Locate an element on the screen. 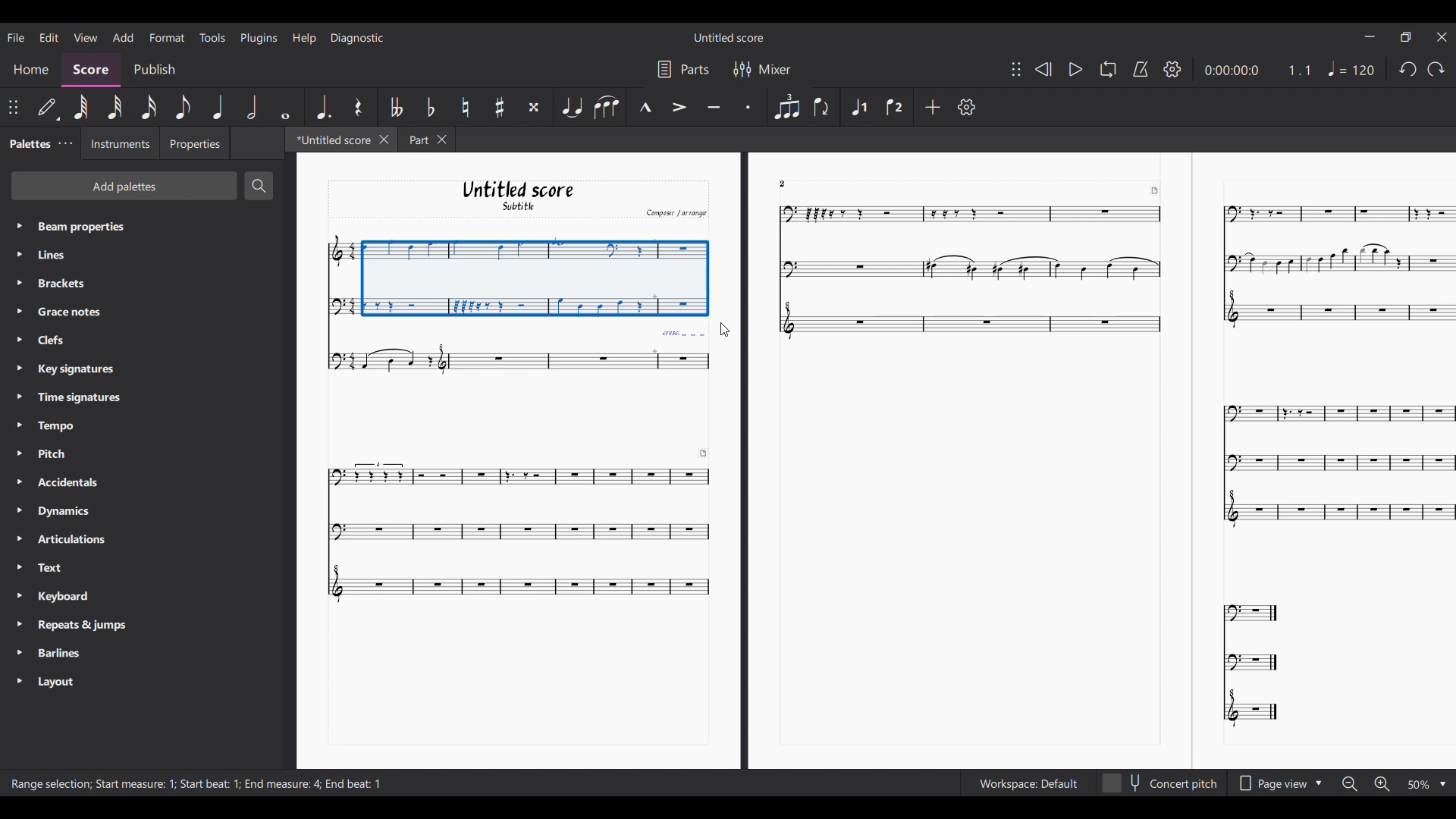  start measure 1 ; is located at coordinates (136, 783).